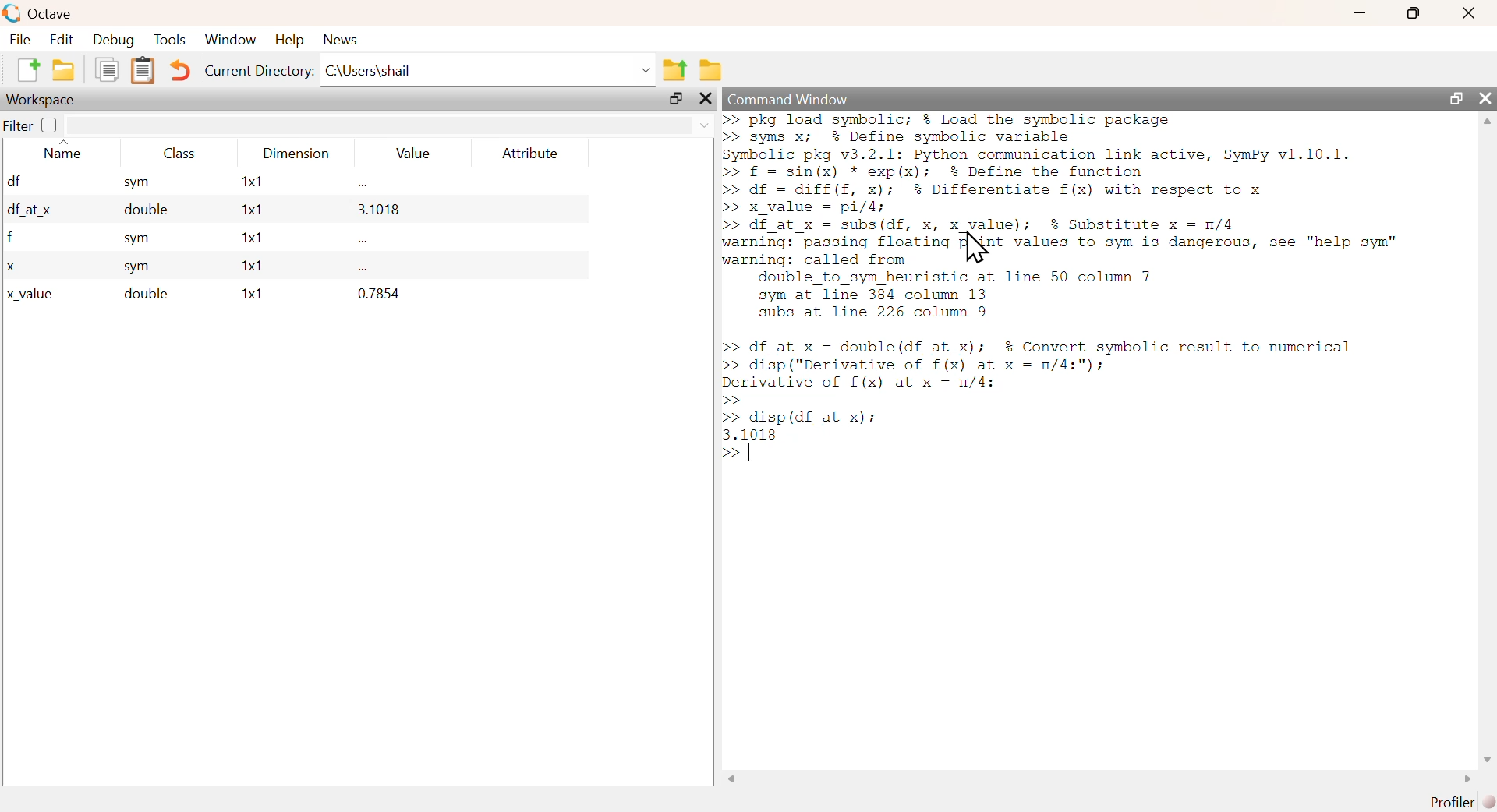 This screenshot has height=812, width=1497. What do you see at coordinates (259, 70) in the screenshot?
I see `Current Directory:` at bounding box center [259, 70].